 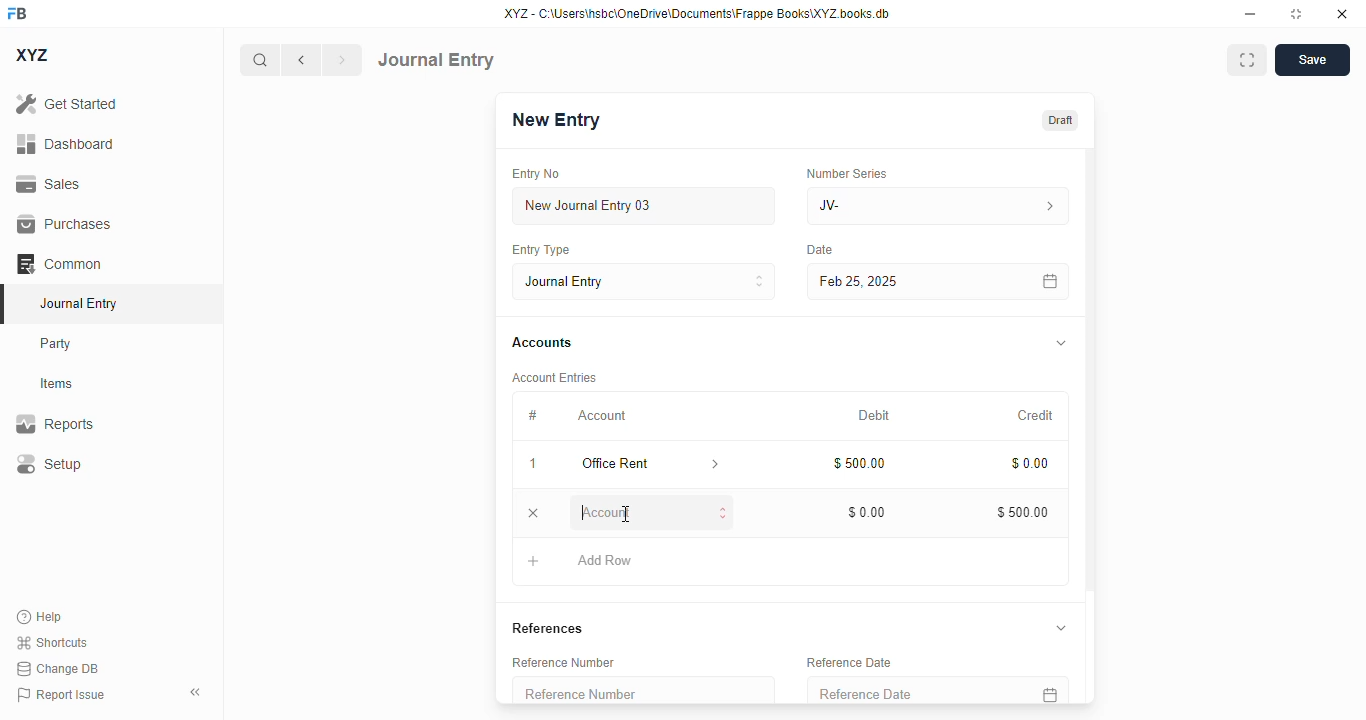 I want to click on debit, so click(x=875, y=417).